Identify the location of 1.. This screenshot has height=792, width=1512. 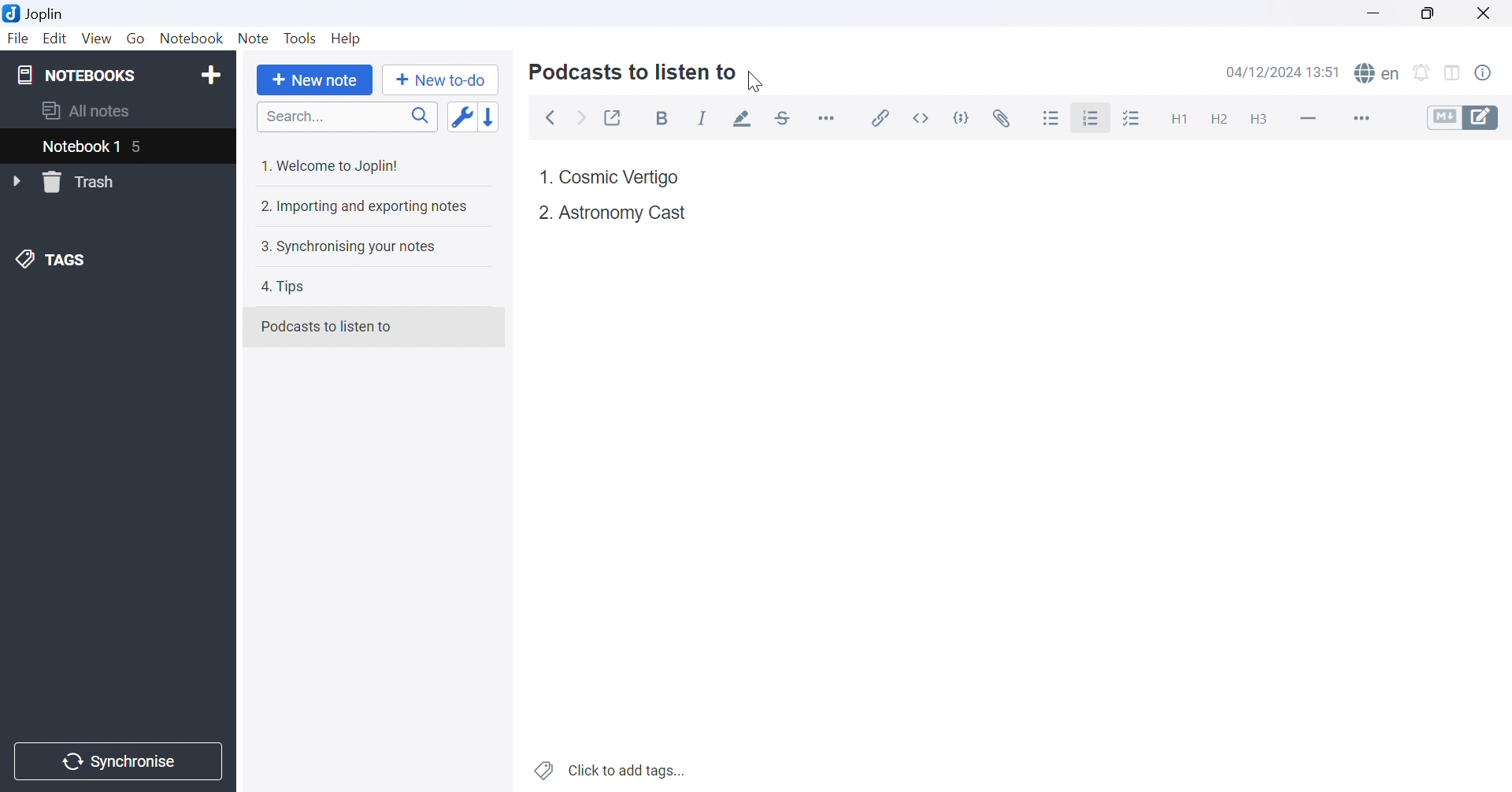
(544, 175).